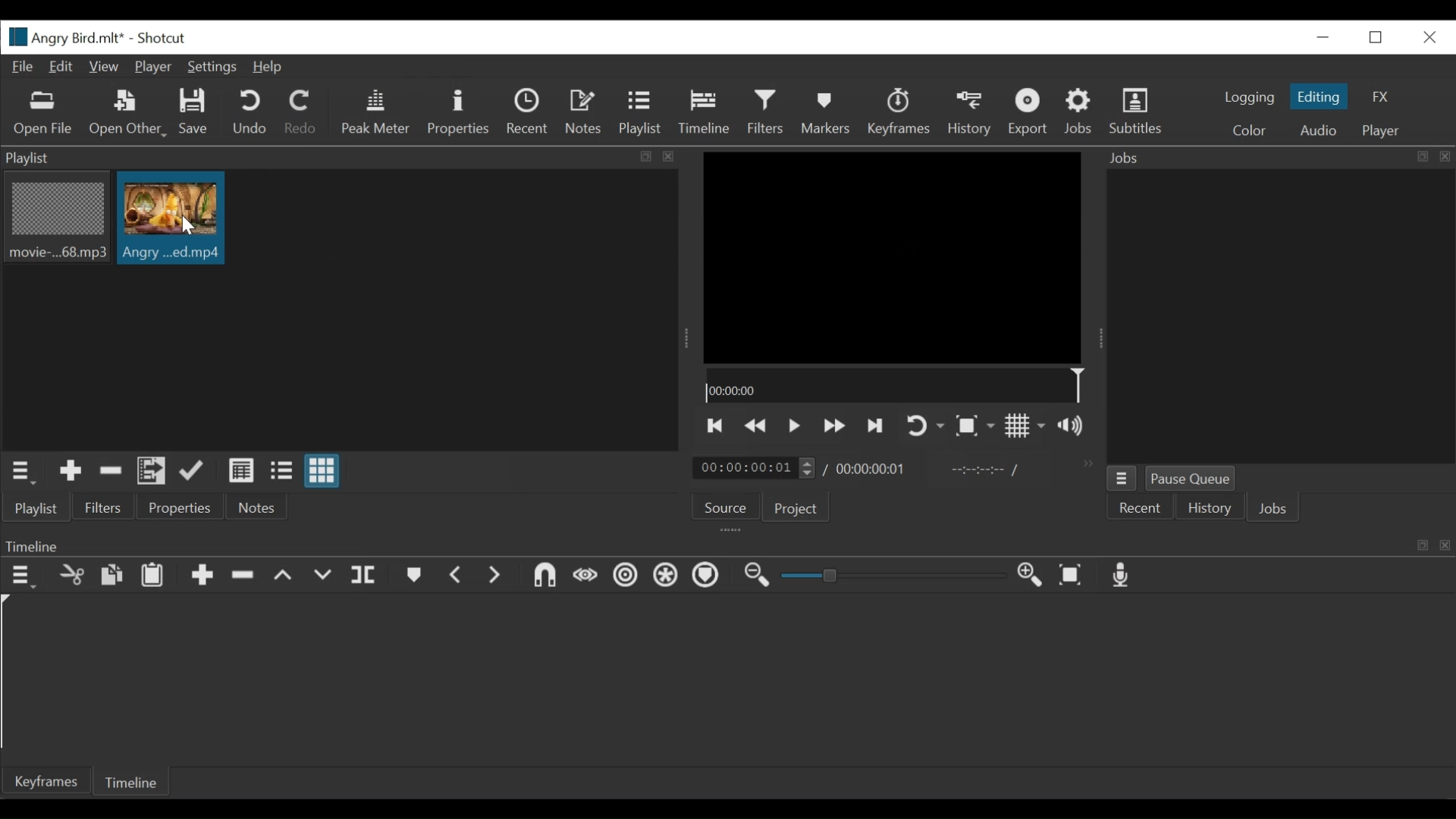 This screenshot has width=1456, height=819. What do you see at coordinates (1316, 130) in the screenshot?
I see `Audio` at bounding box center [1316, 130].